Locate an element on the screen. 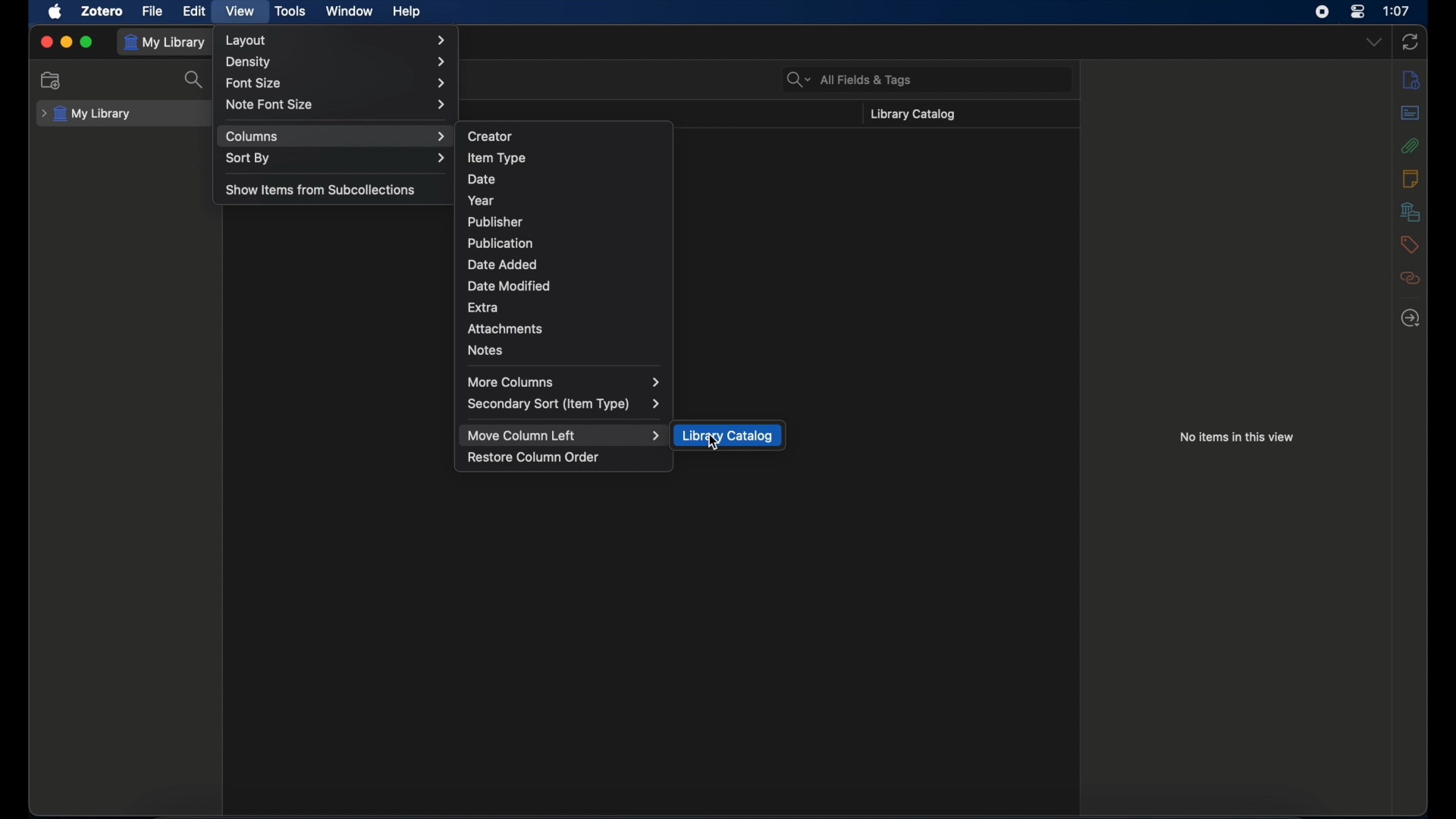  library catalog is located at coordinates (911, 115).